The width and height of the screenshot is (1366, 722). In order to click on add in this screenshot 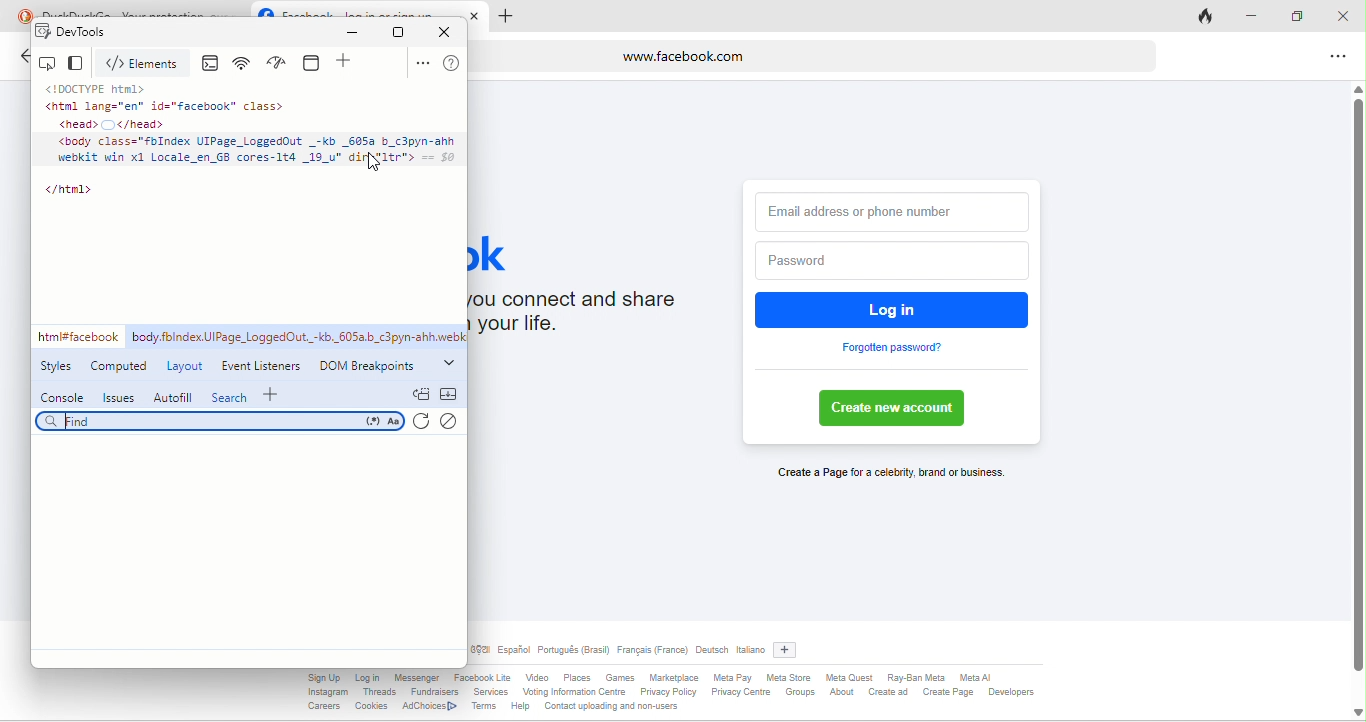, I will do `click(790, 647)`.